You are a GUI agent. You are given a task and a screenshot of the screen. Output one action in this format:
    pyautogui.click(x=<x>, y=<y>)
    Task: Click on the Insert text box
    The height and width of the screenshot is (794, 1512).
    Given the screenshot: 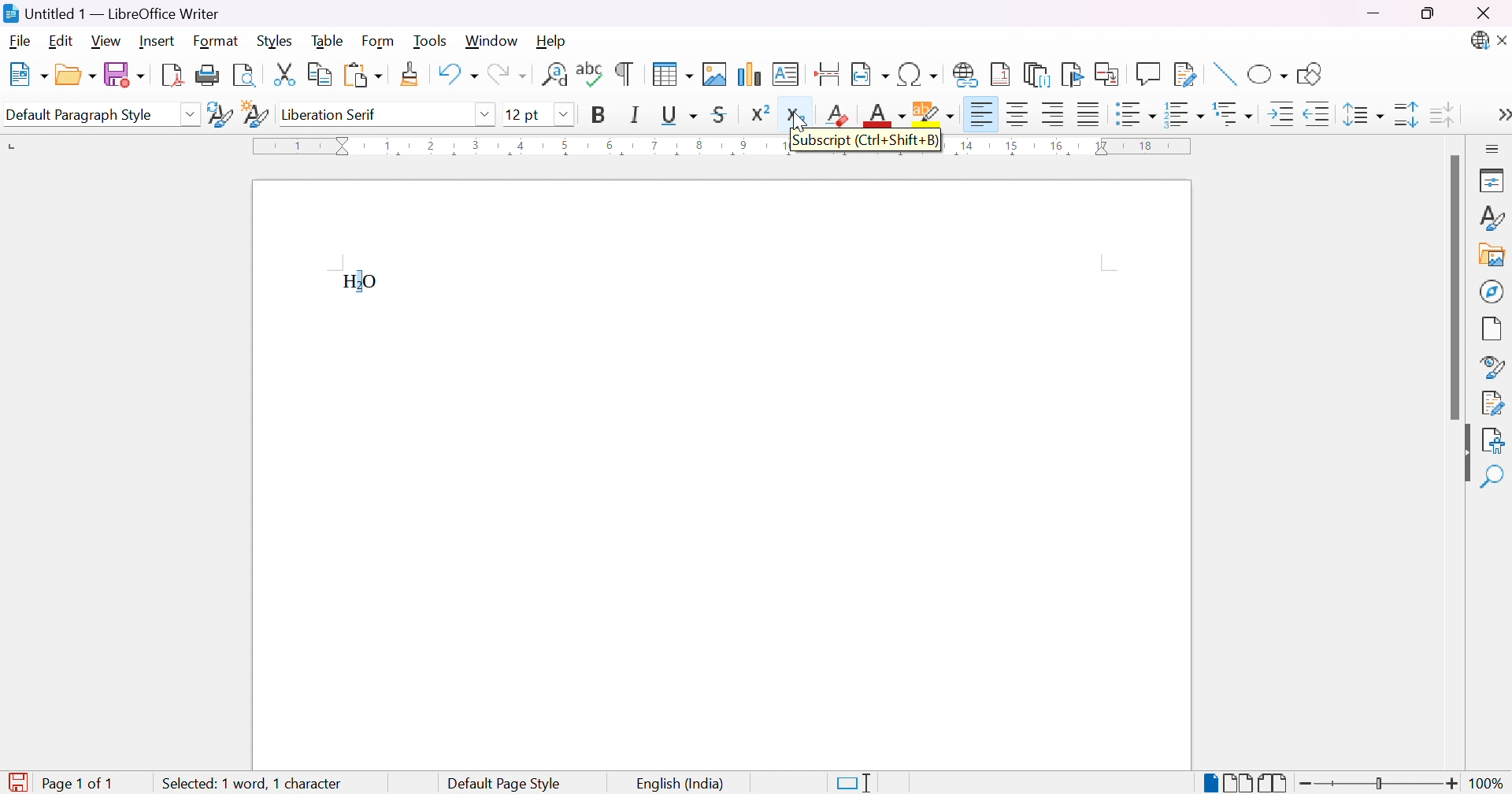 What is the action you would take?
    pyautogui.click(x=785, y=74)
    